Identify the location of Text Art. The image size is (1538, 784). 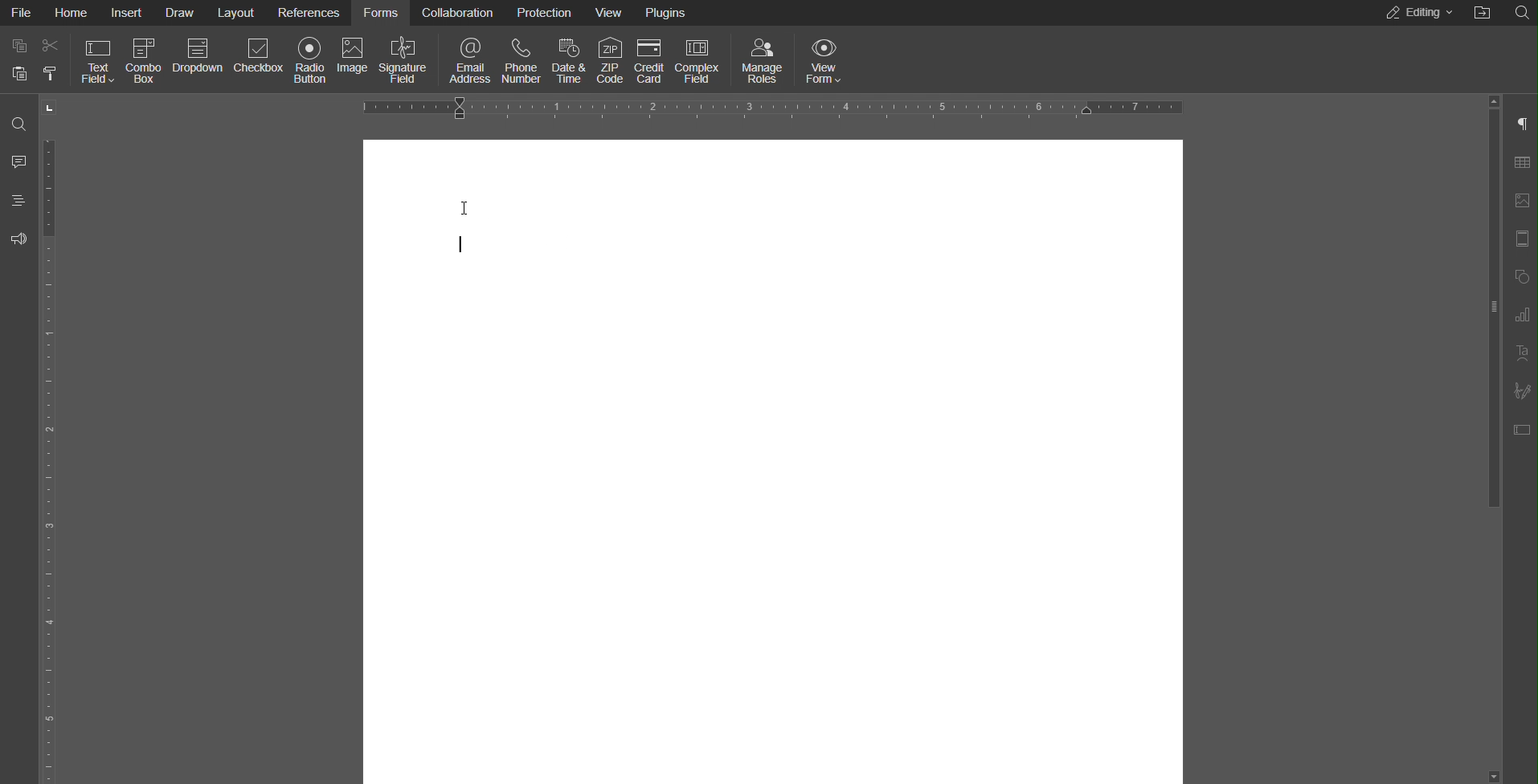
(1520, 353).